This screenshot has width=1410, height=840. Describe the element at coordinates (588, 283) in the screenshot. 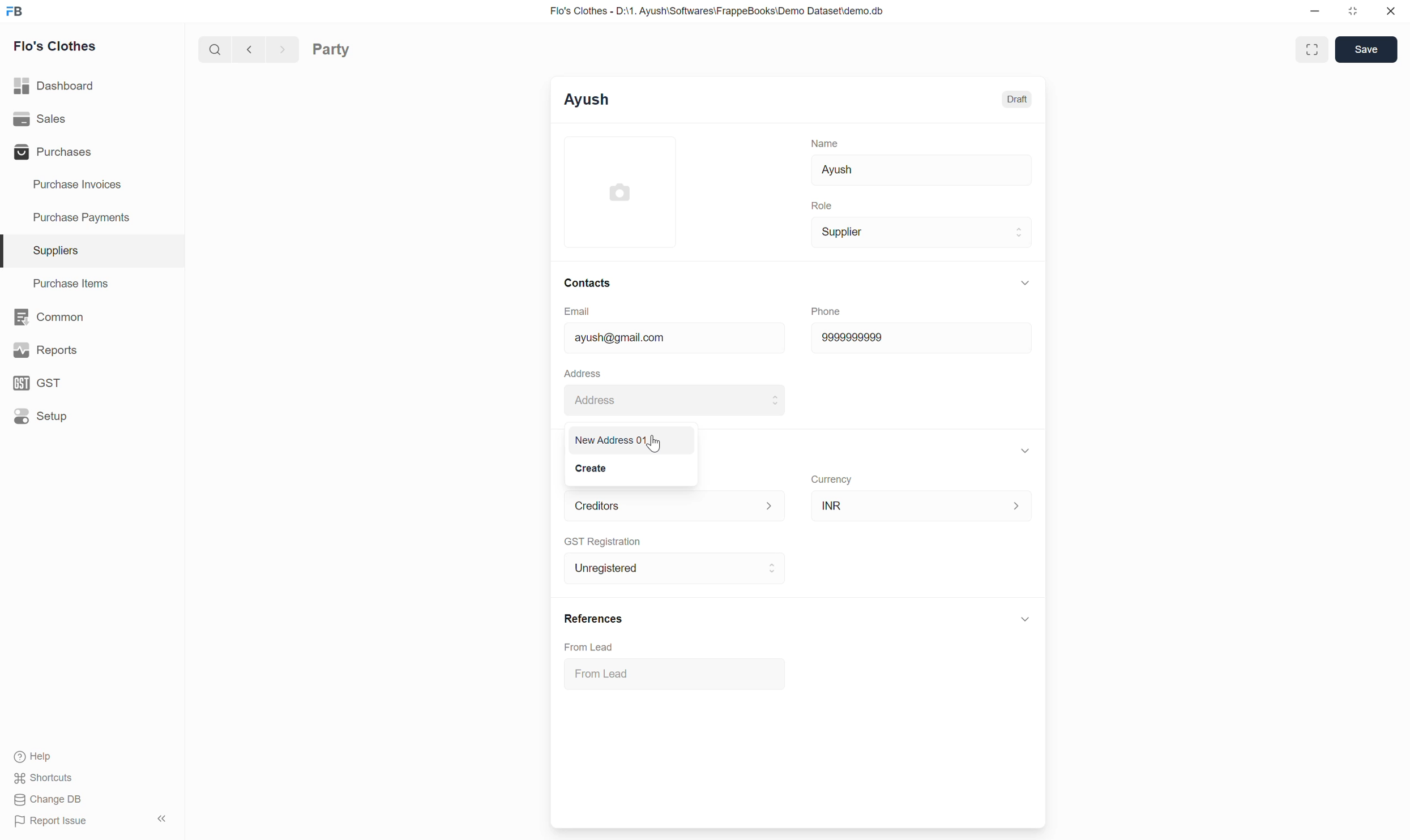

I see `Contacts` at that location.